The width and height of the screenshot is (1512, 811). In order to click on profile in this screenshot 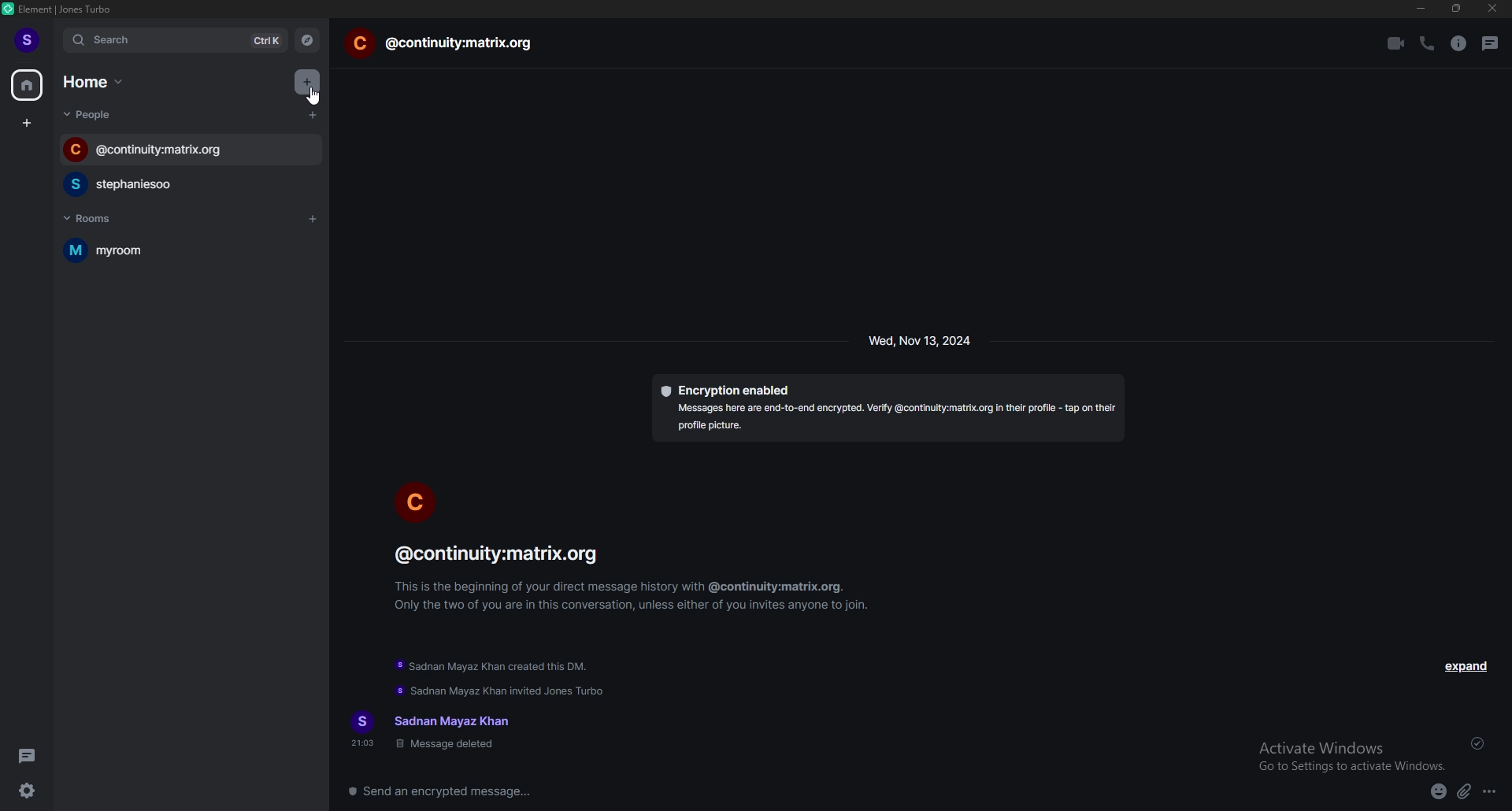, I will do `click(28, 40)`.